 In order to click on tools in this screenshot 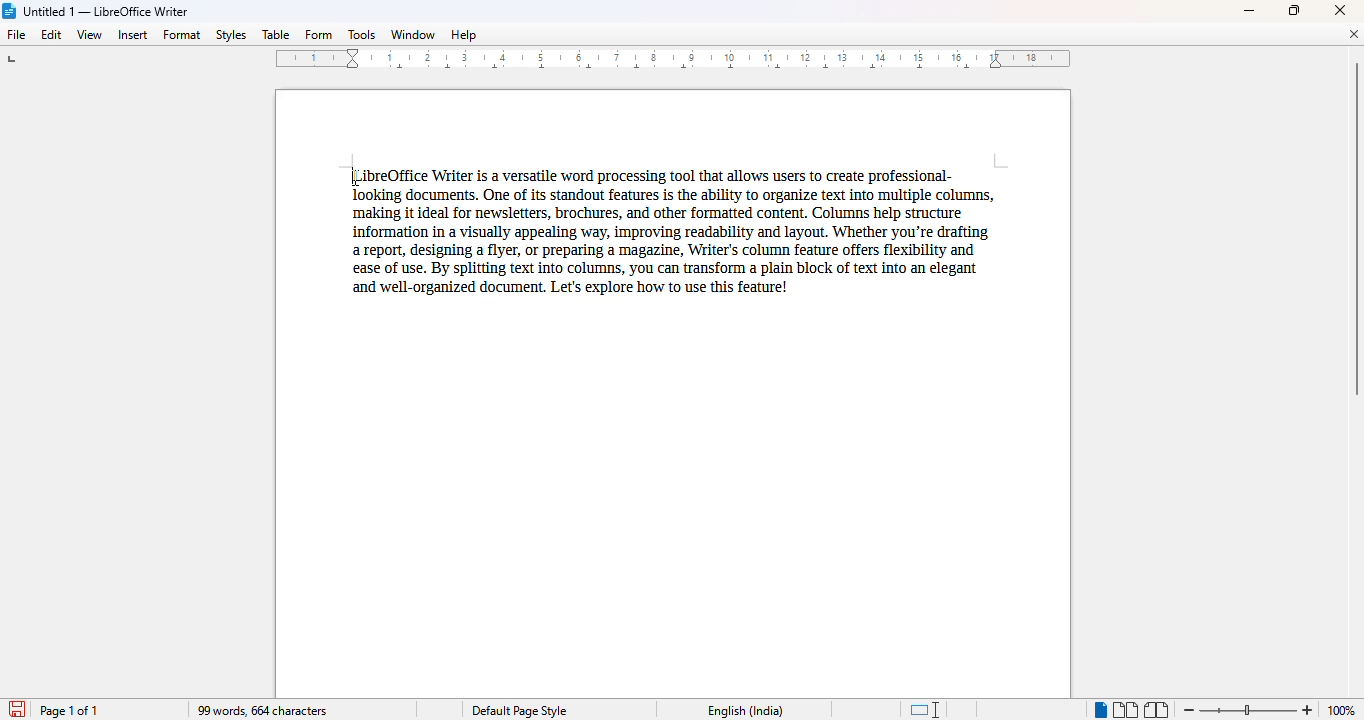, I will do `click(361, 34)`.